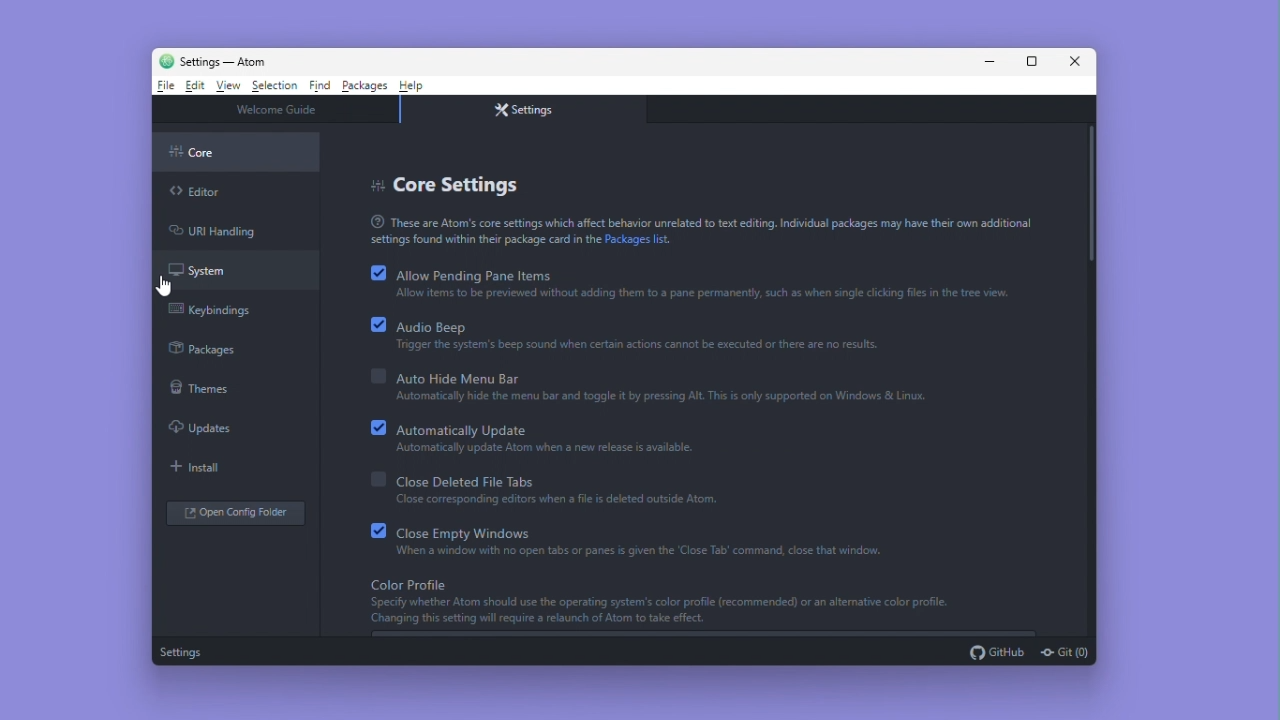  What do you see at coordinates (451, 185) in the screenshot?
I see `Core settings` at bounding box center [451, 185].